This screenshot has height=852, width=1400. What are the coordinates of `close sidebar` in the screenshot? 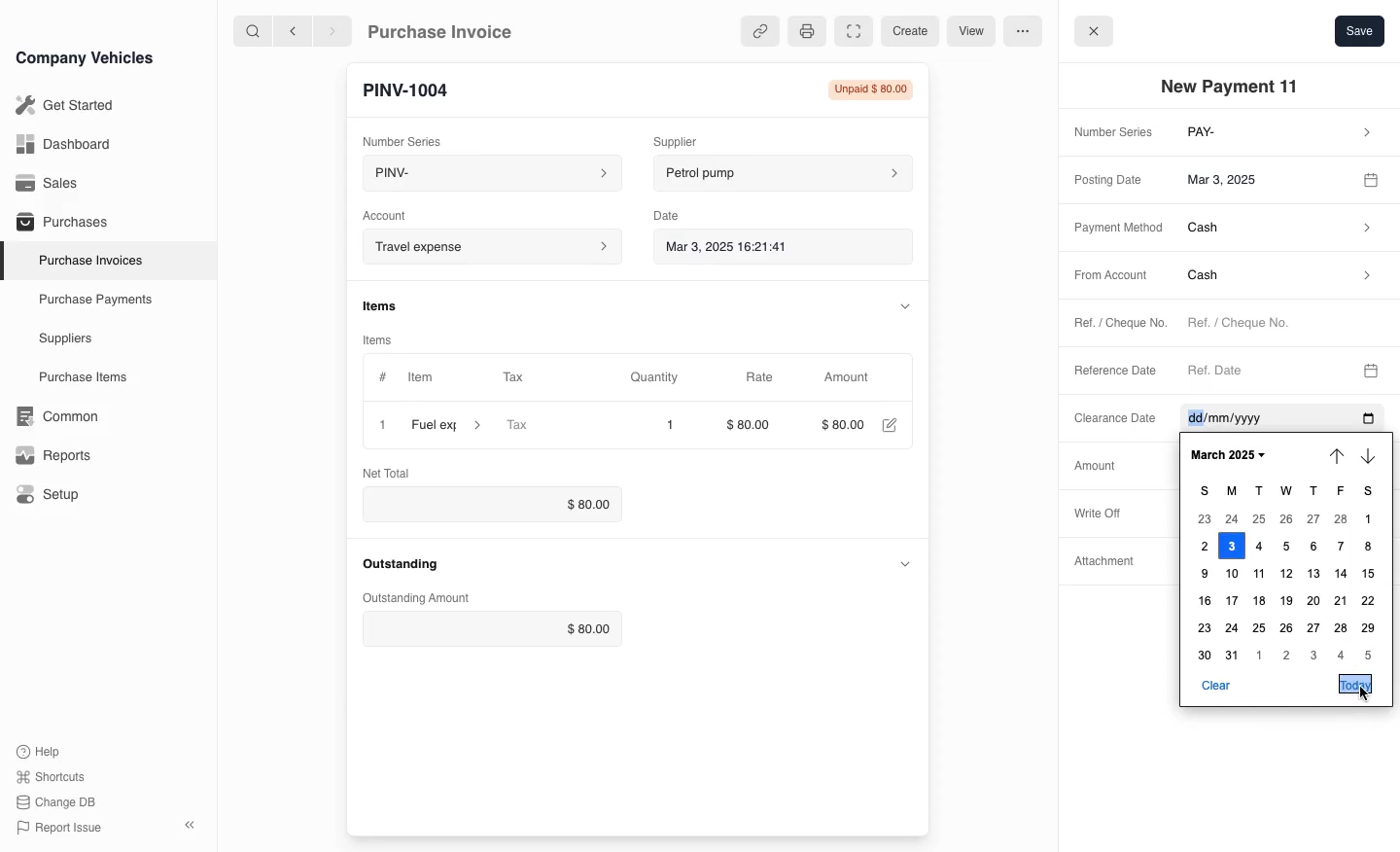 It's located at (192, 823).